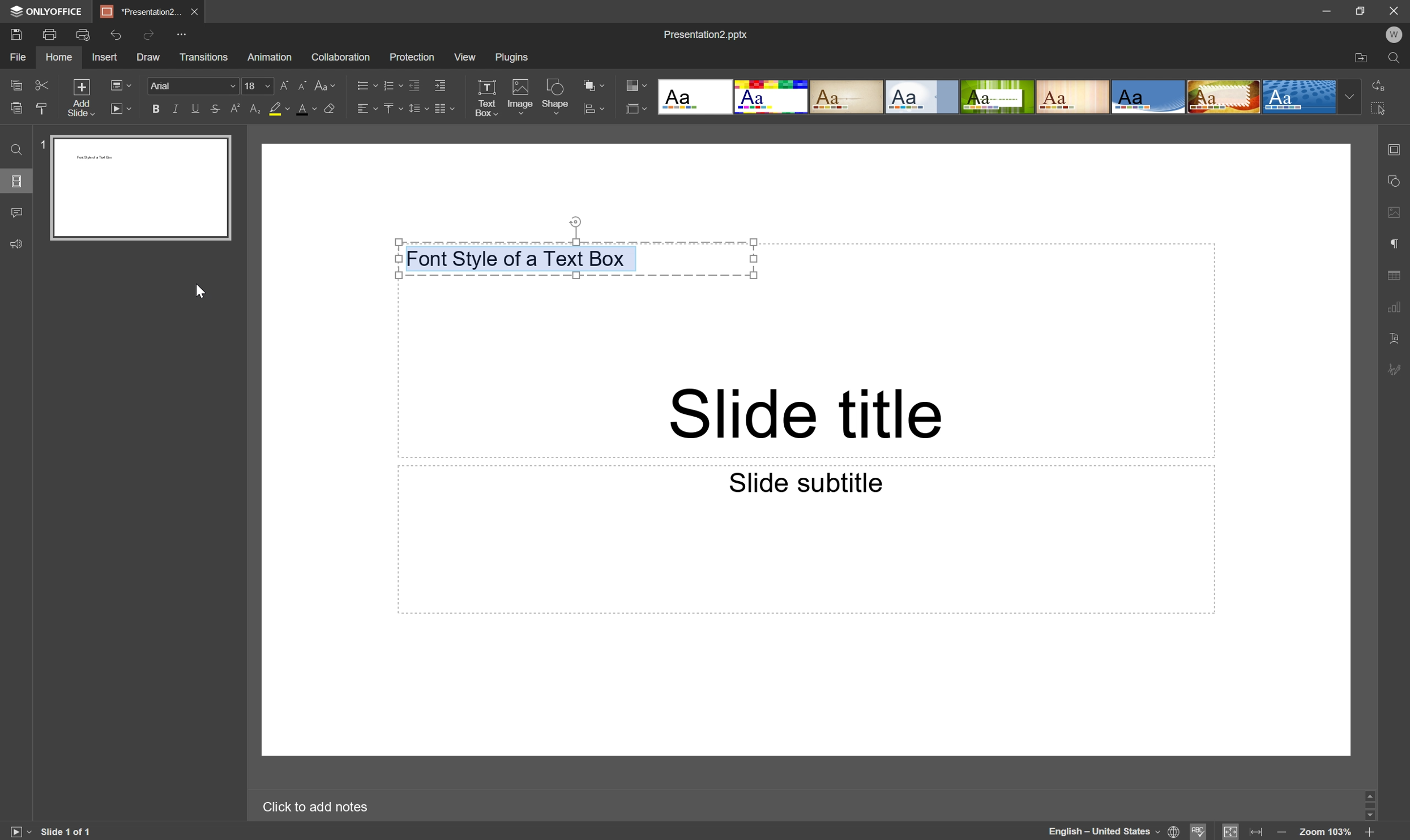 This screenshot has width=1410, height=840. Describe the element at coordinates (1399, 309) in the screenshot. I see `Chart settings` at that location.